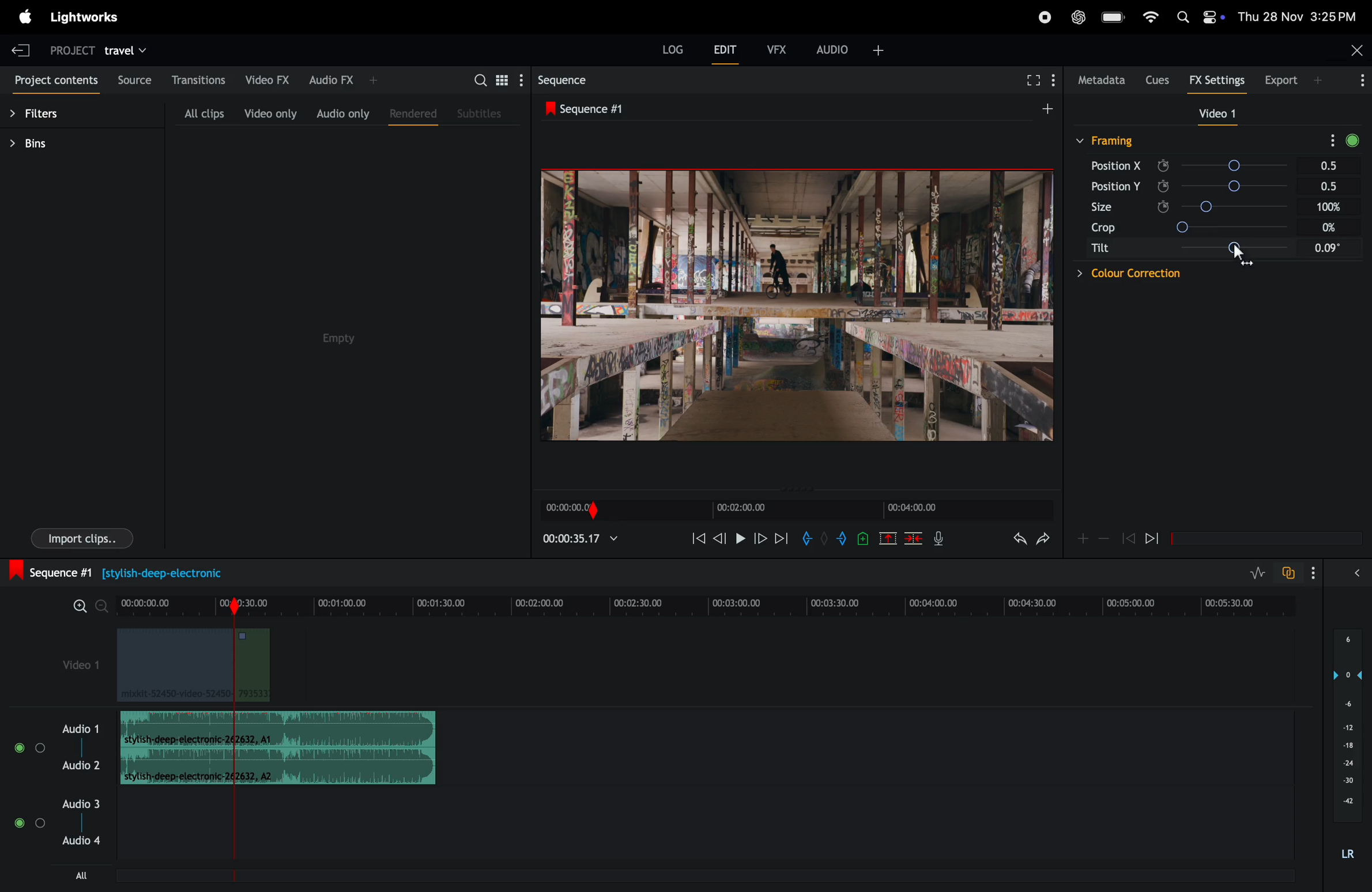 This screenshot has width=1372, height=892. Describe the element at coordinates (798, 305) in the screenshot. I see `output frames` at that location.